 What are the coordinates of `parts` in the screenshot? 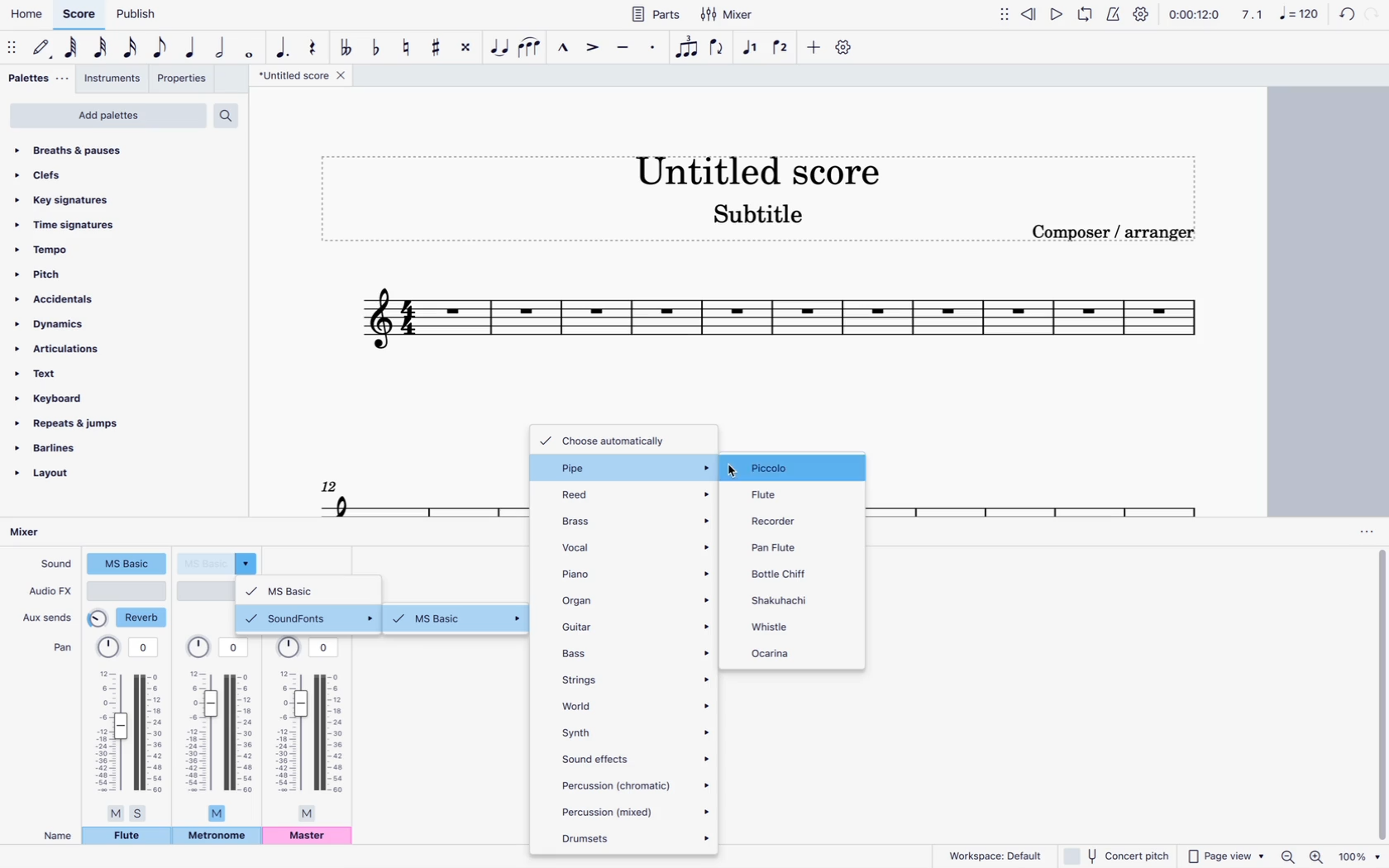 It's located at (657, 14).